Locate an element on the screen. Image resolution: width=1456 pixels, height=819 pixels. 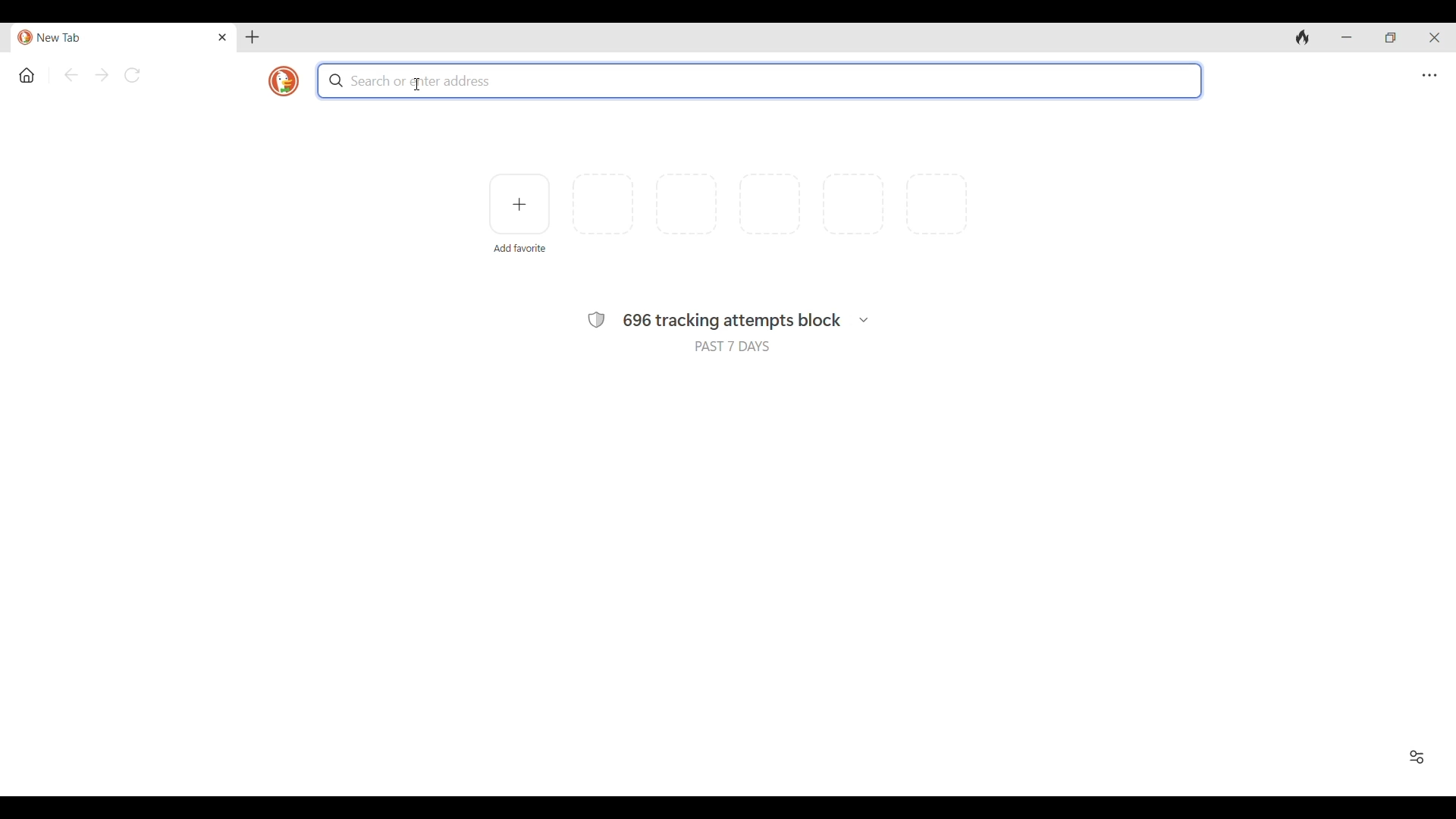
search bar is located at coordinates (761, 80).